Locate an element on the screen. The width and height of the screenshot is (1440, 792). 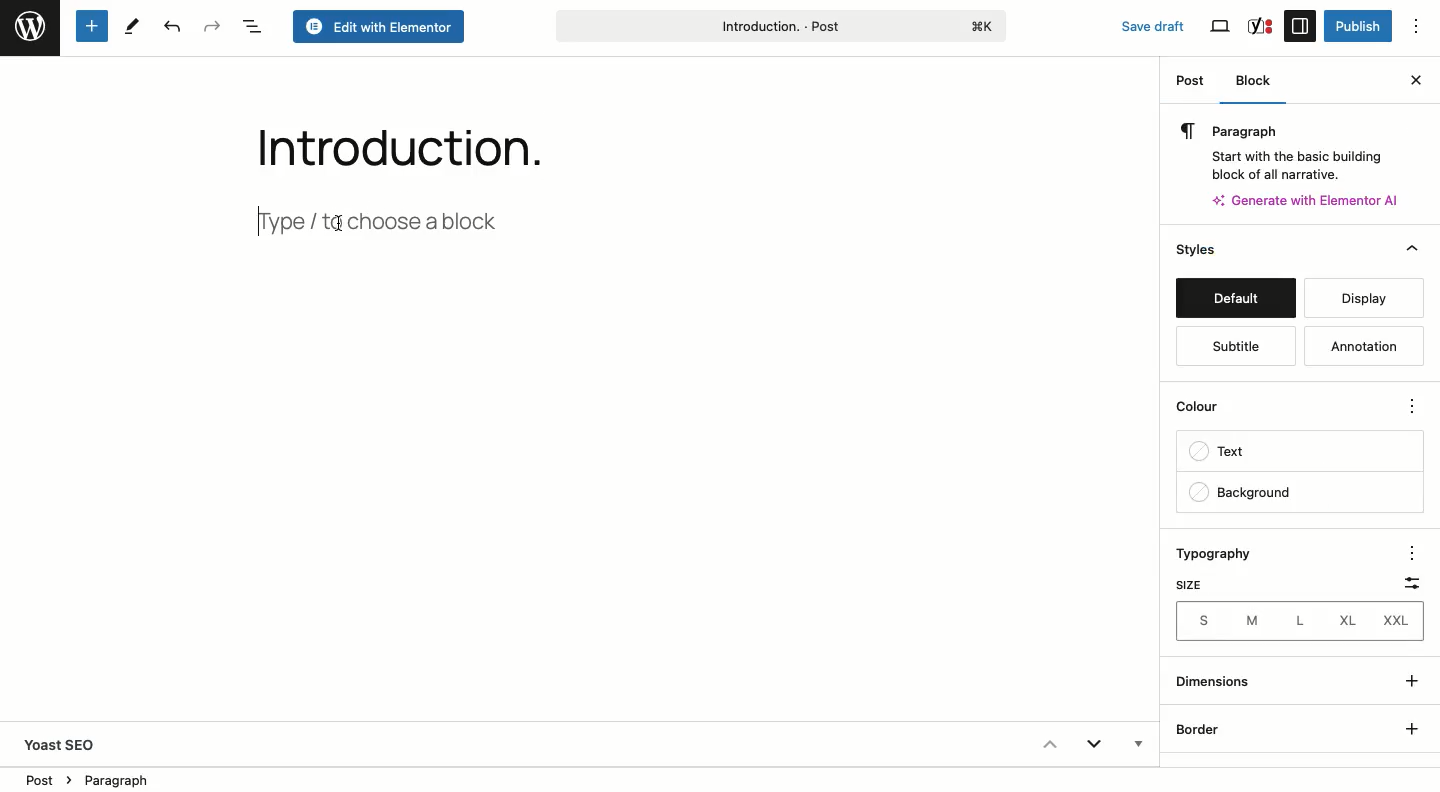
Post > Paragraph is located at coordinates (89, 778).